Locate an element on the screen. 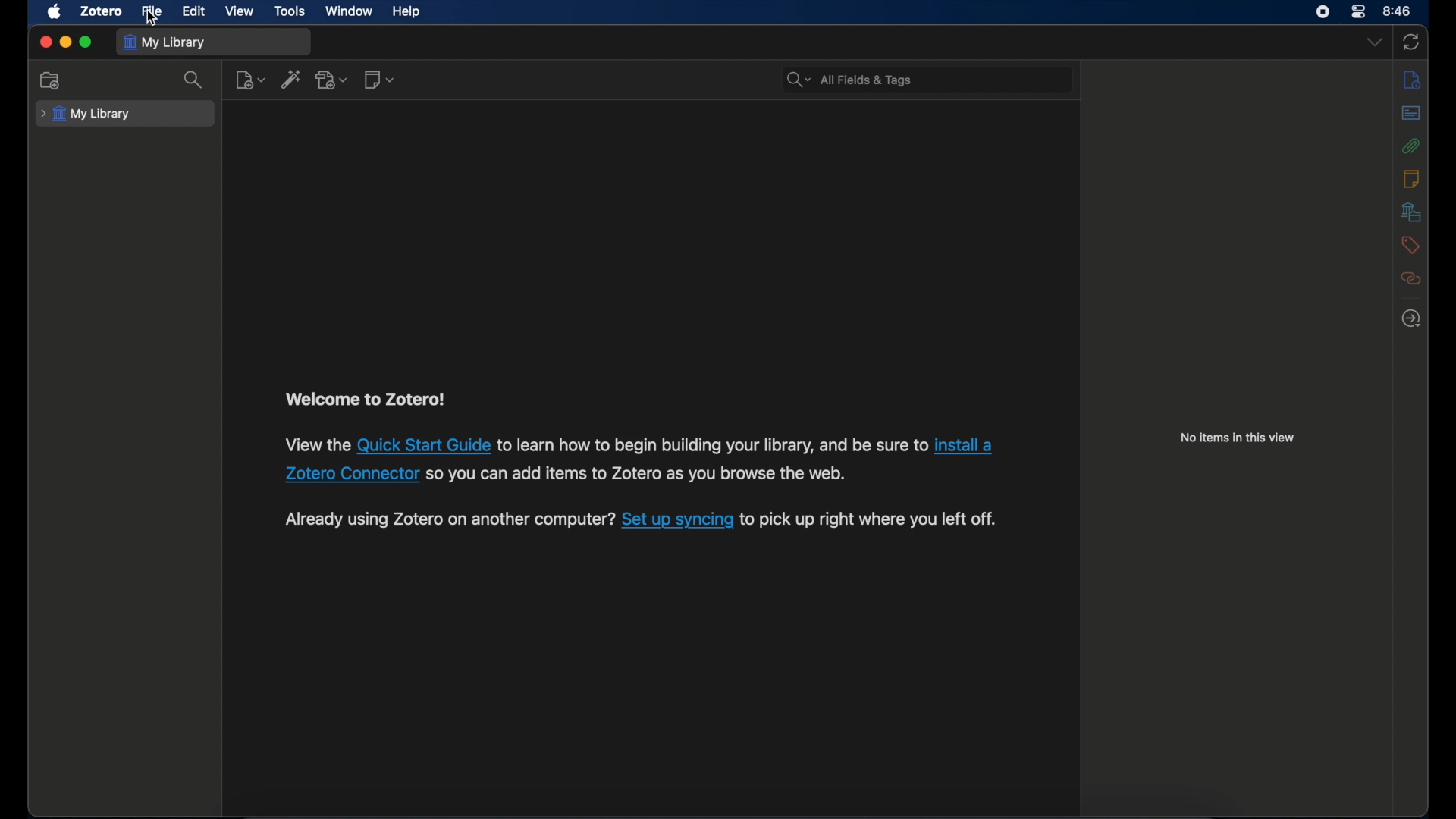 The width and height of the screenshot is (1456, 819). add item by identifier is located at coordinates (292, 80).